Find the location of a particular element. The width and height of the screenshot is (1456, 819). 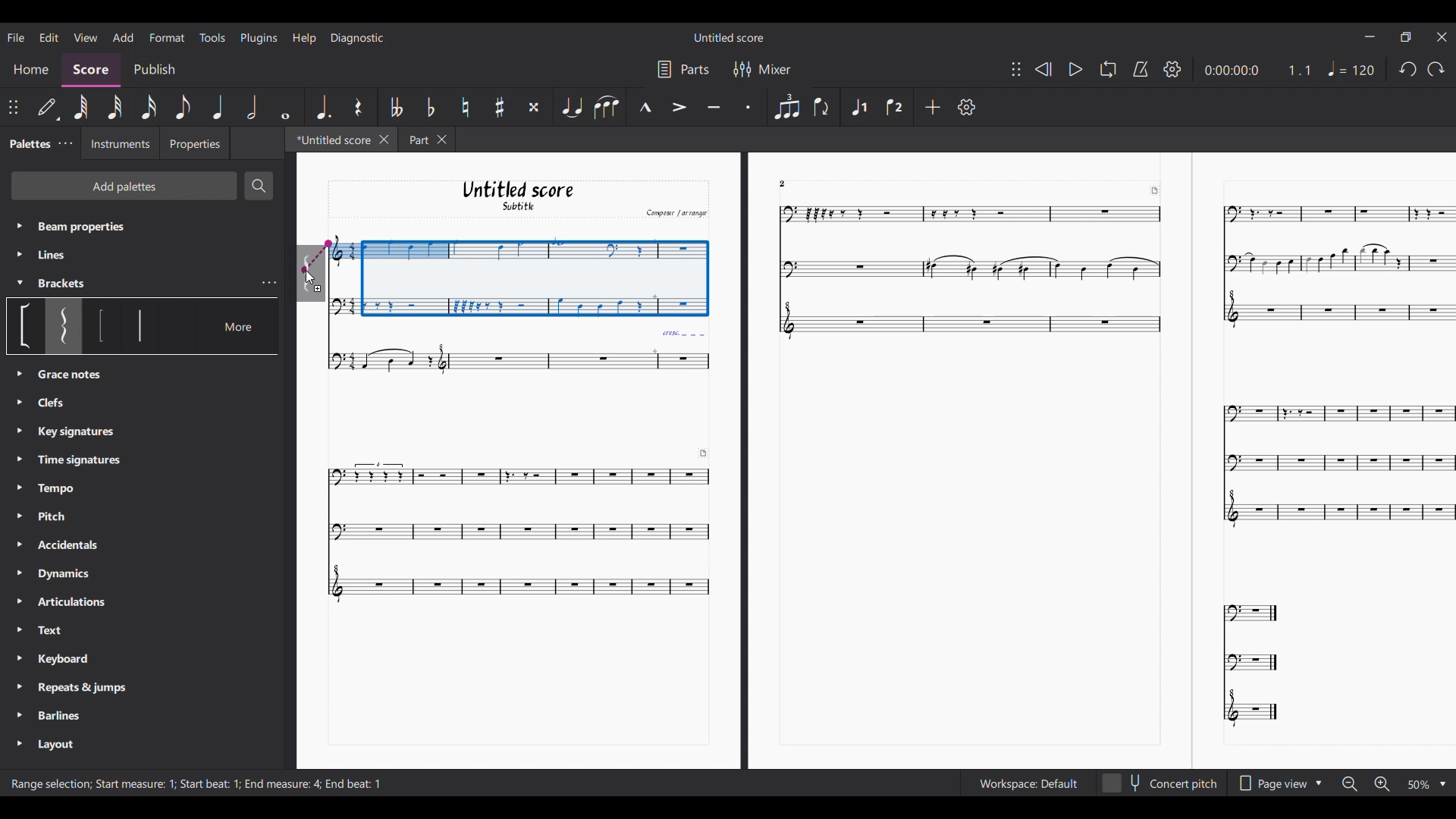

Home  is located at coordinates (31, 71).